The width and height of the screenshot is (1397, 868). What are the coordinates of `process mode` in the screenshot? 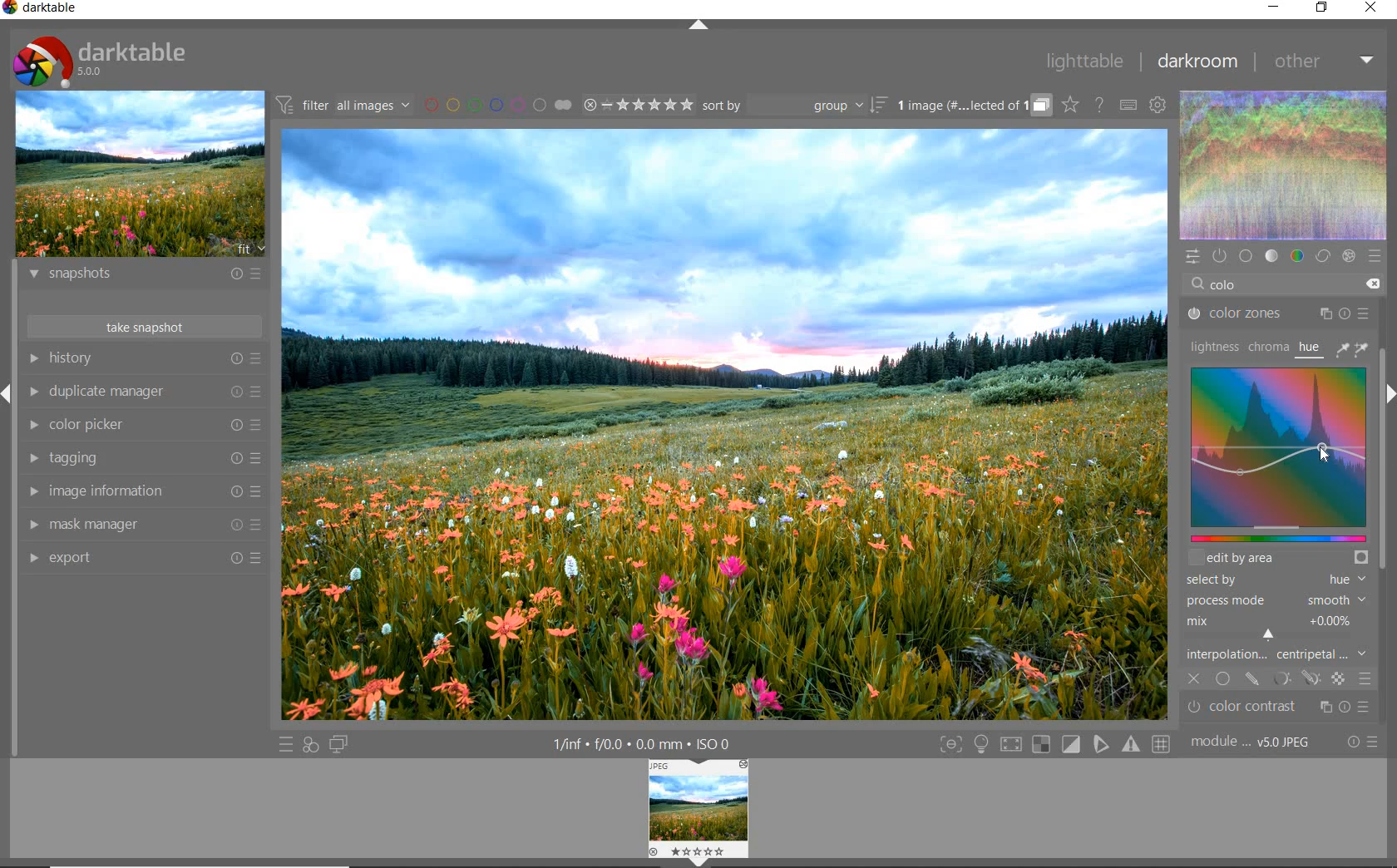 It's located at (1275, 602).